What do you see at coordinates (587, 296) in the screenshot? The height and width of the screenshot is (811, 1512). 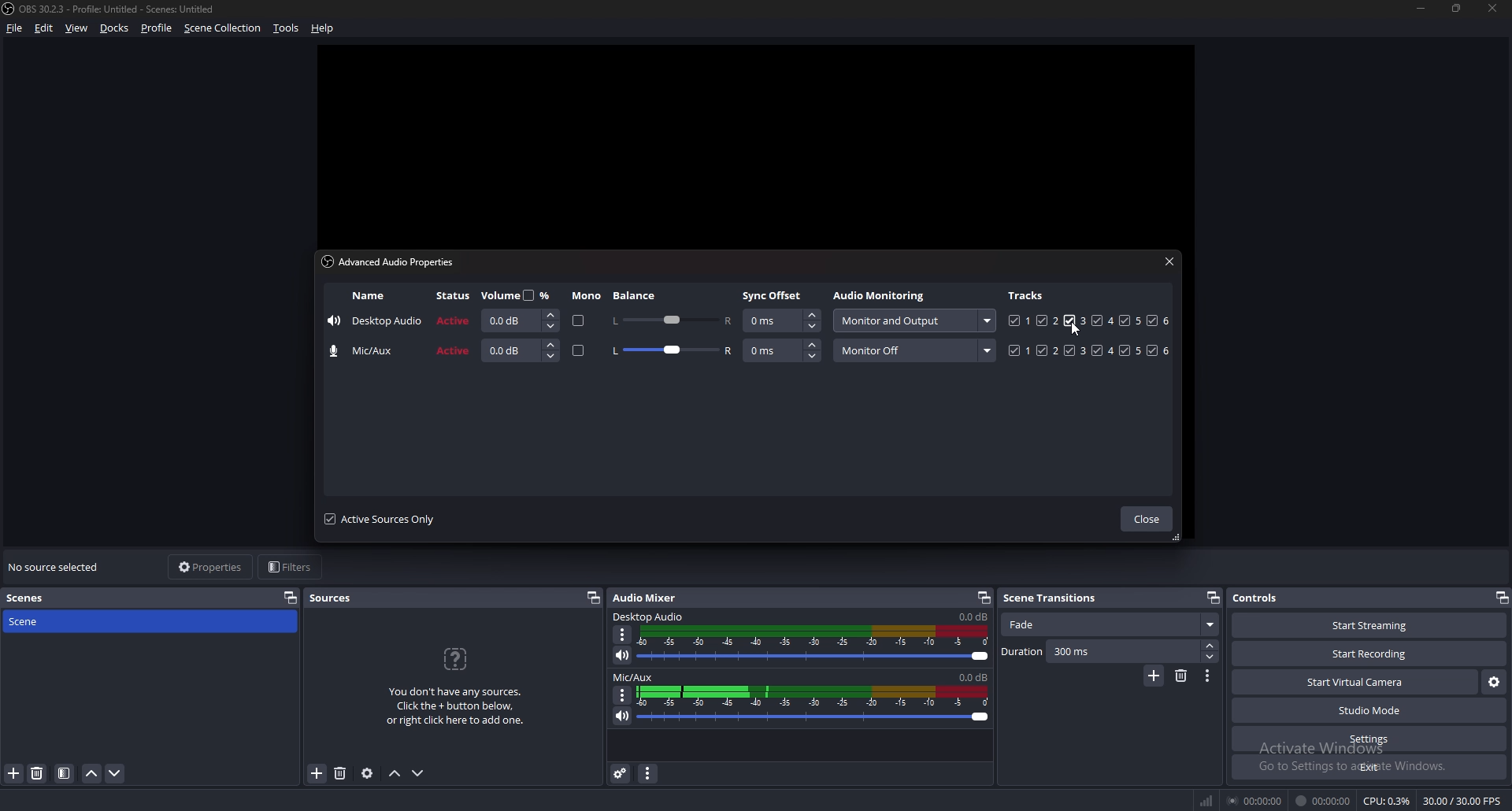 I see `mono` at bounding box center [587, 296].